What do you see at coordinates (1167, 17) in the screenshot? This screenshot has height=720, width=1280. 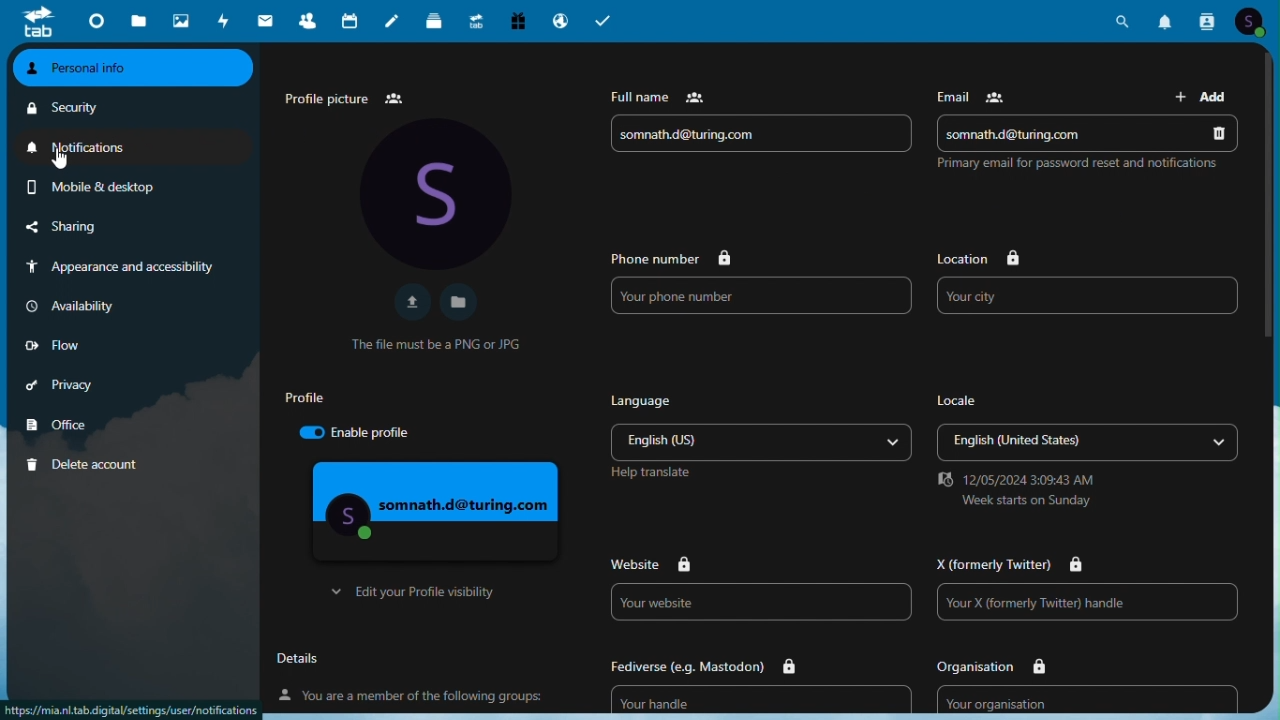 I see `Notifications` at bounding box center [1167, 17].